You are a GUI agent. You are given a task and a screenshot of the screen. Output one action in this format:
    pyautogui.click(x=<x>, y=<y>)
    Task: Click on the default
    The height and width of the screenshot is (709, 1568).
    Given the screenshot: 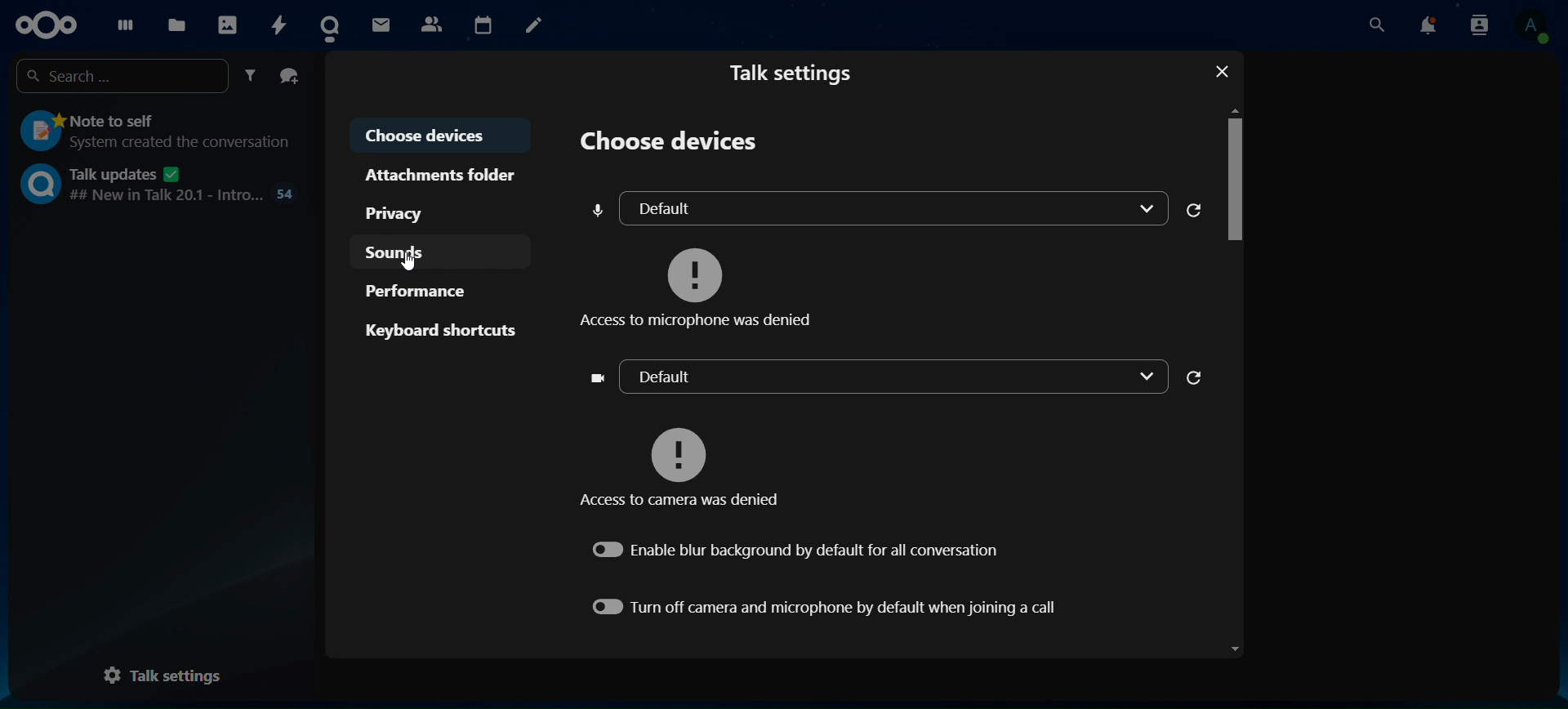 What is the action you would take?
    pyautogui.click(x=881, y=208)
    